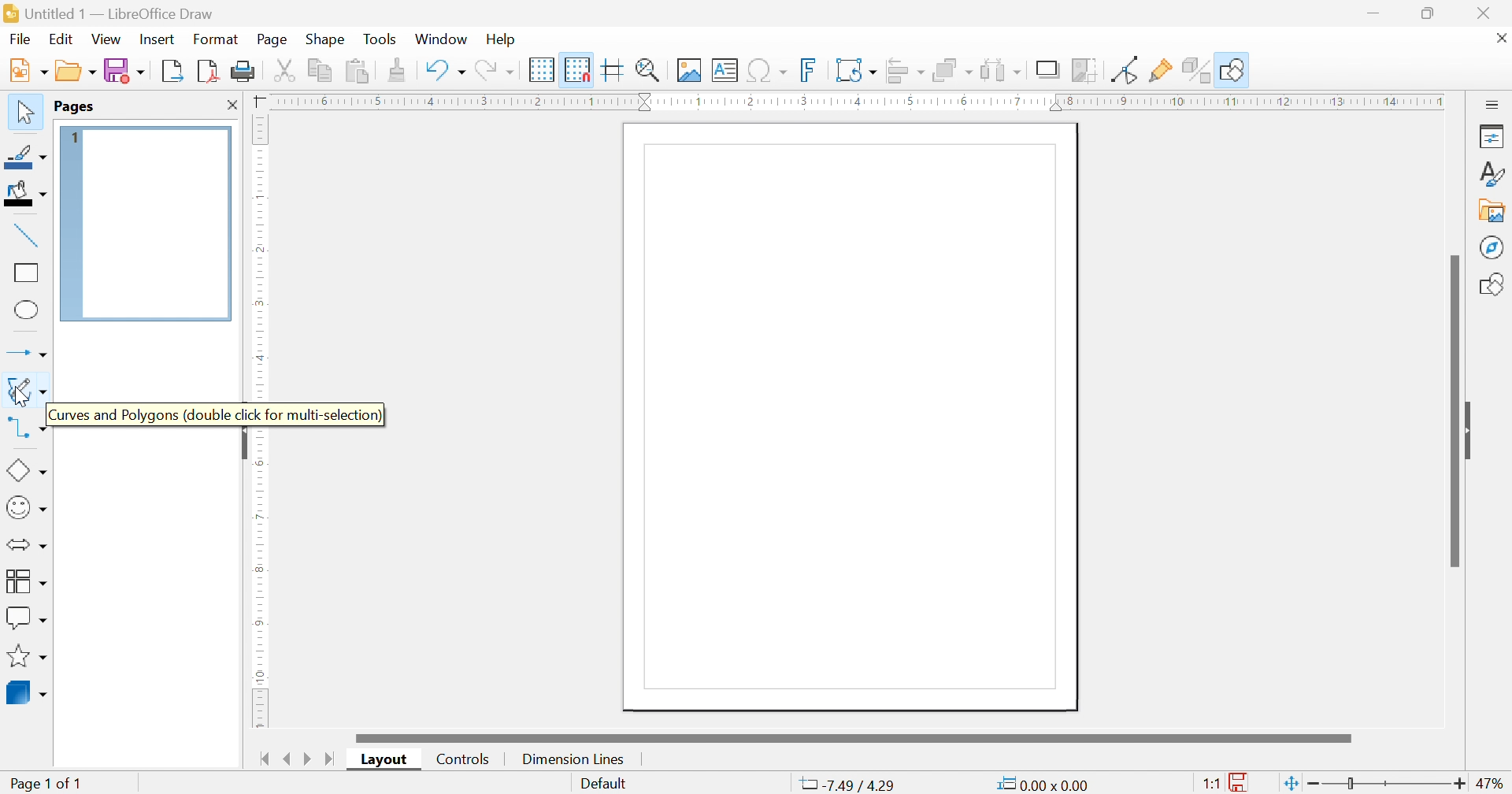 The image size is (1512, 794). Describe the element at coordinates (26, 693) in the screenshot. I see `3D objects` at that location.